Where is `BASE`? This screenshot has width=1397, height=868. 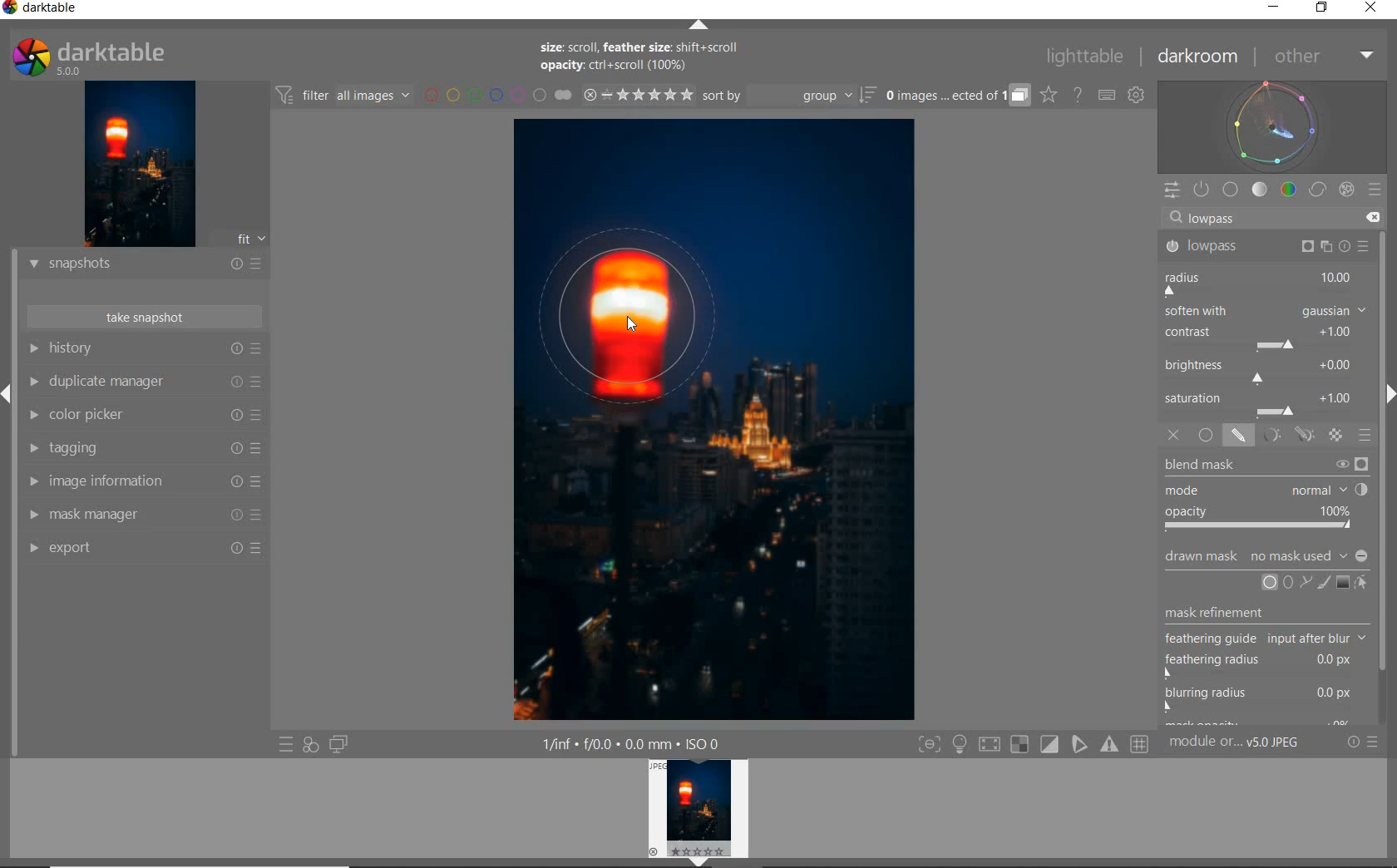
BASE is located at coordinates (1232, 190).